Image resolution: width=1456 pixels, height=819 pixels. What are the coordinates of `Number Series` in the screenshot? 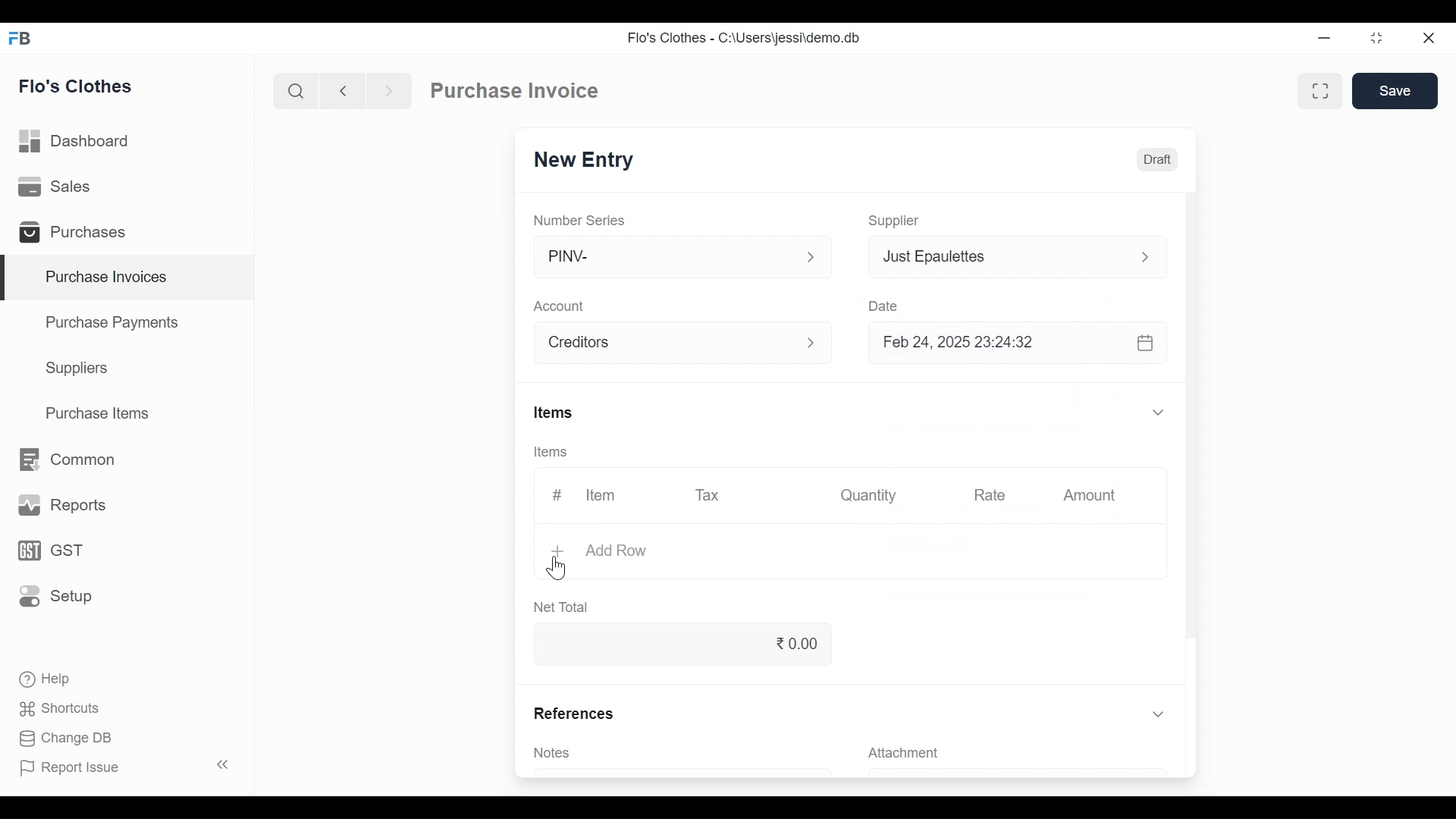 It's located at (580, 219).